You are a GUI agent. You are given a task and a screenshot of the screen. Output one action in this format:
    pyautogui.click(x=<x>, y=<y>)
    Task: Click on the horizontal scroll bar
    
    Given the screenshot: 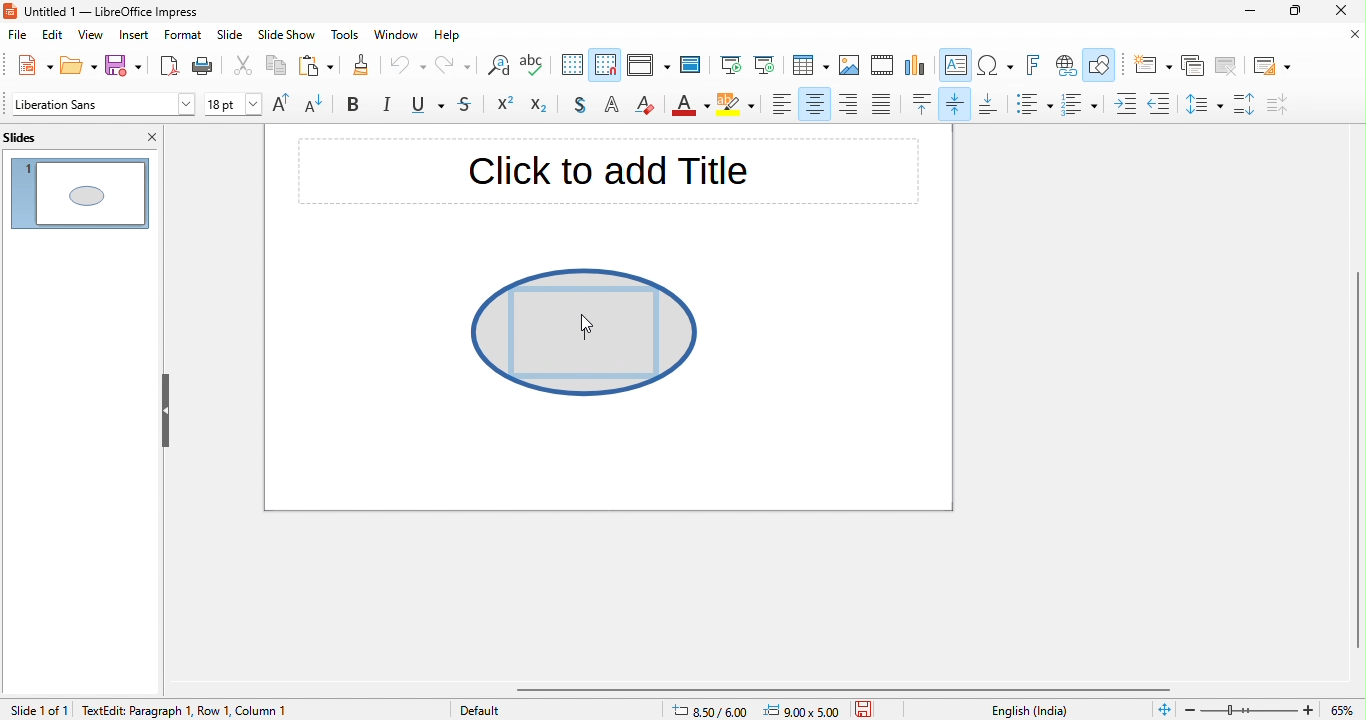 What is the action you would take?
    pyautogui.click(x=851, y=689)
    